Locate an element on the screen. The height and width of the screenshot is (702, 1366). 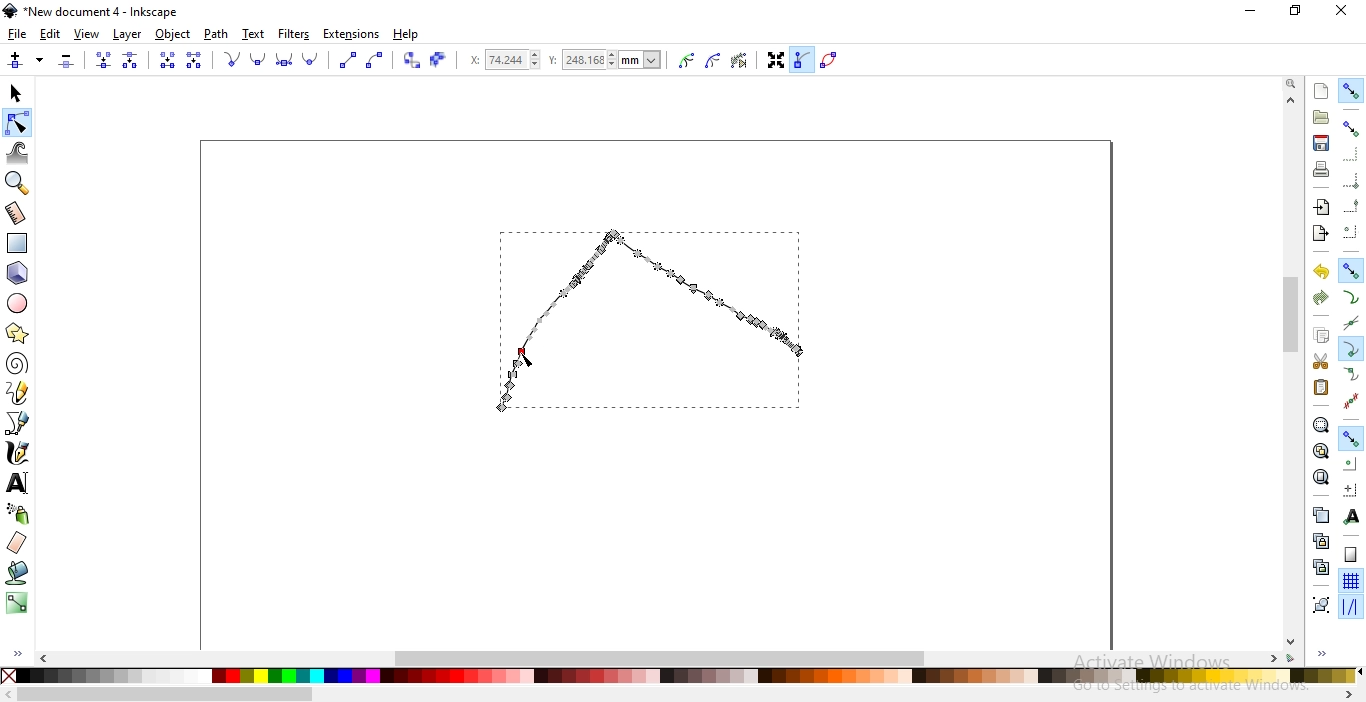
draw bezier lines and straight lines is located at coordinates (18, 423).